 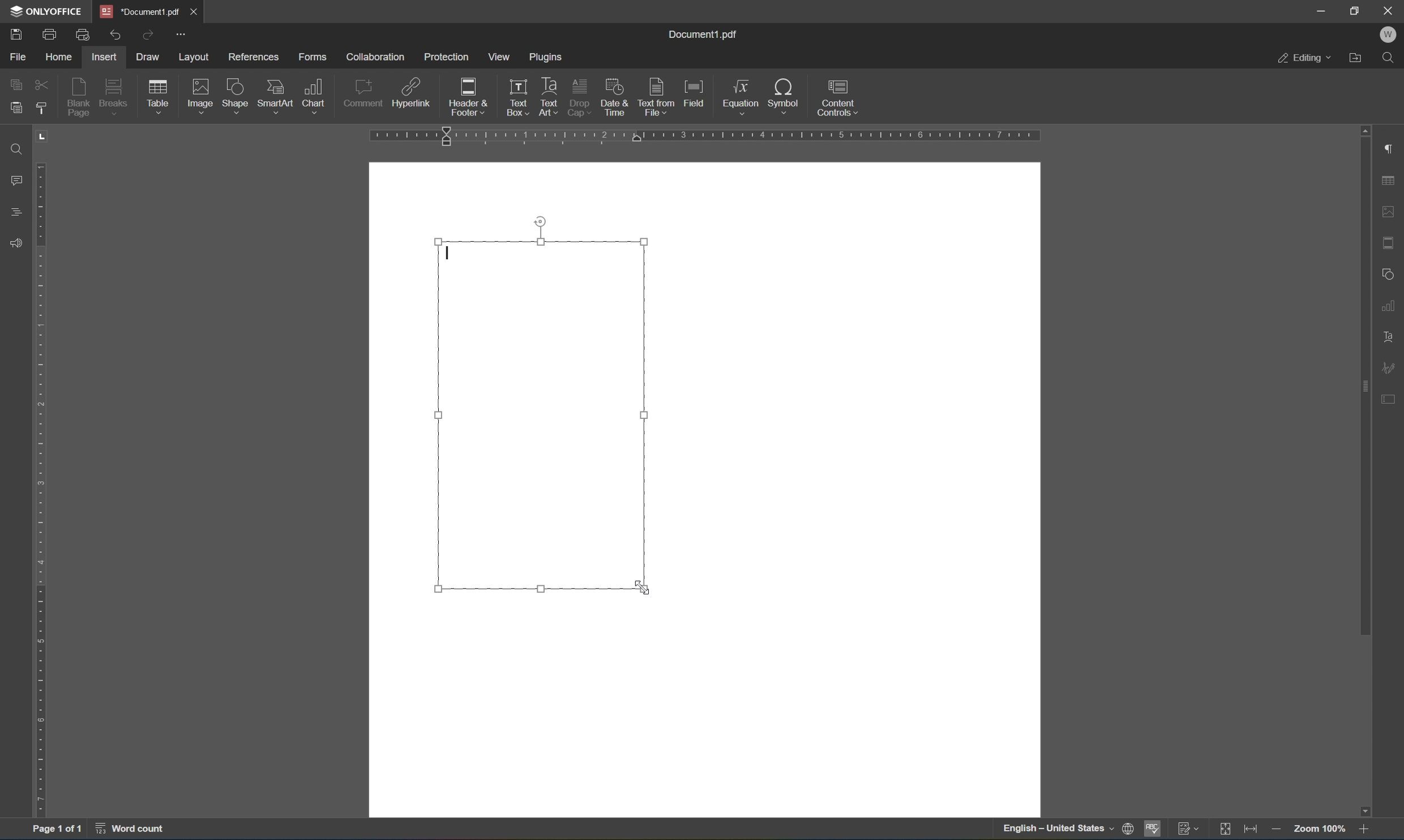 I want to click on Paragraph settings, so click(x=1392, y=147).